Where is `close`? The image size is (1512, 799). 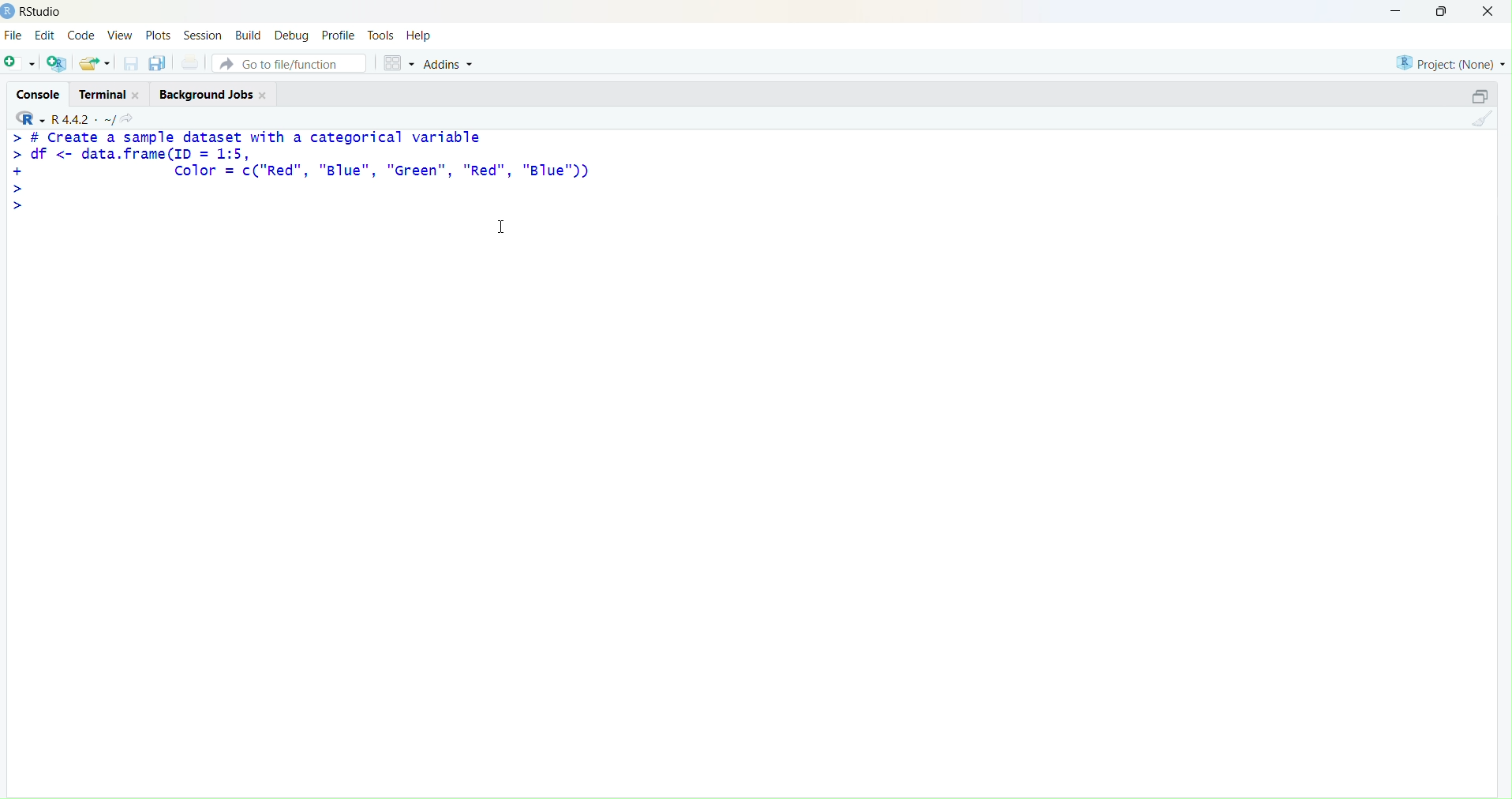
close is located at coordinates (264, 96).